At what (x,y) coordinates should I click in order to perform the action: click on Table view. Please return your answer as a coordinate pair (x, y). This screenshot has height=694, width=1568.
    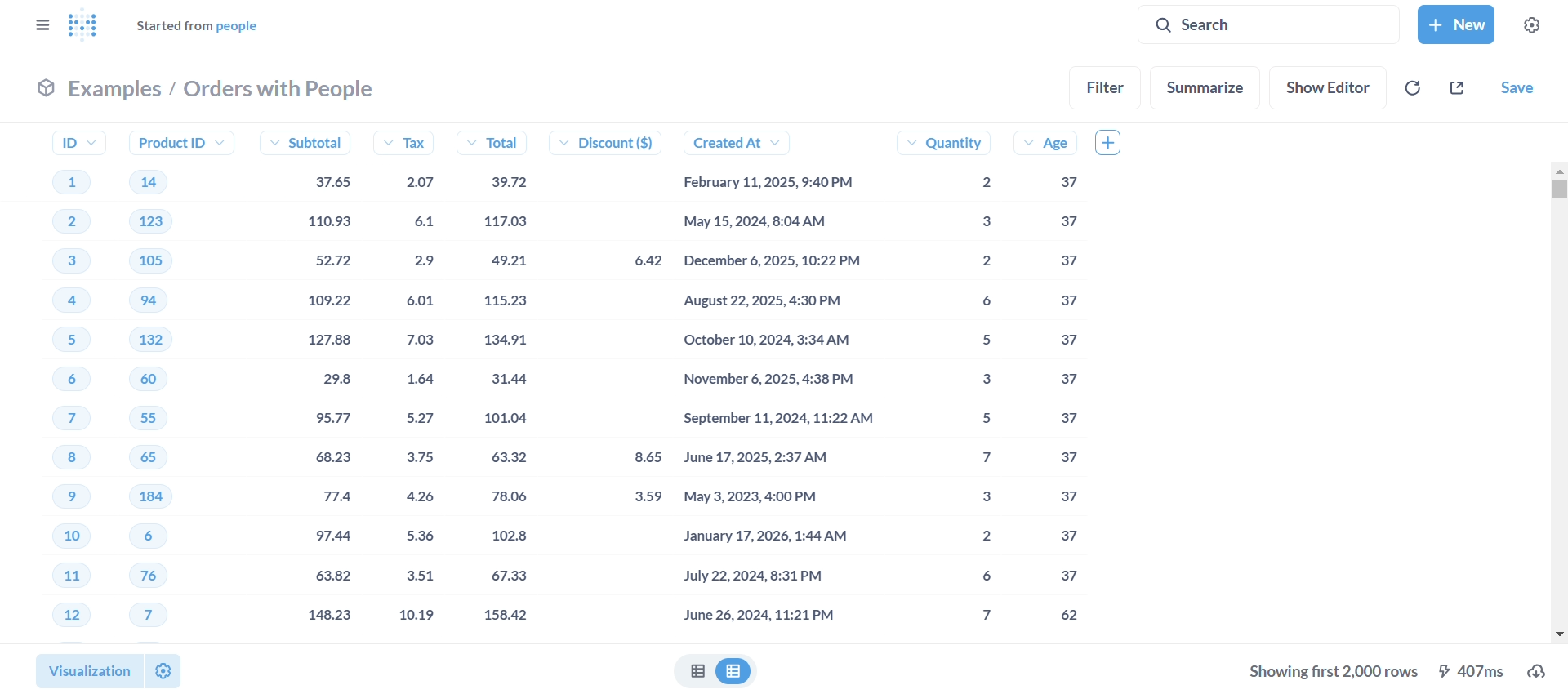
    Looking at the image, I should click on (714, 672).